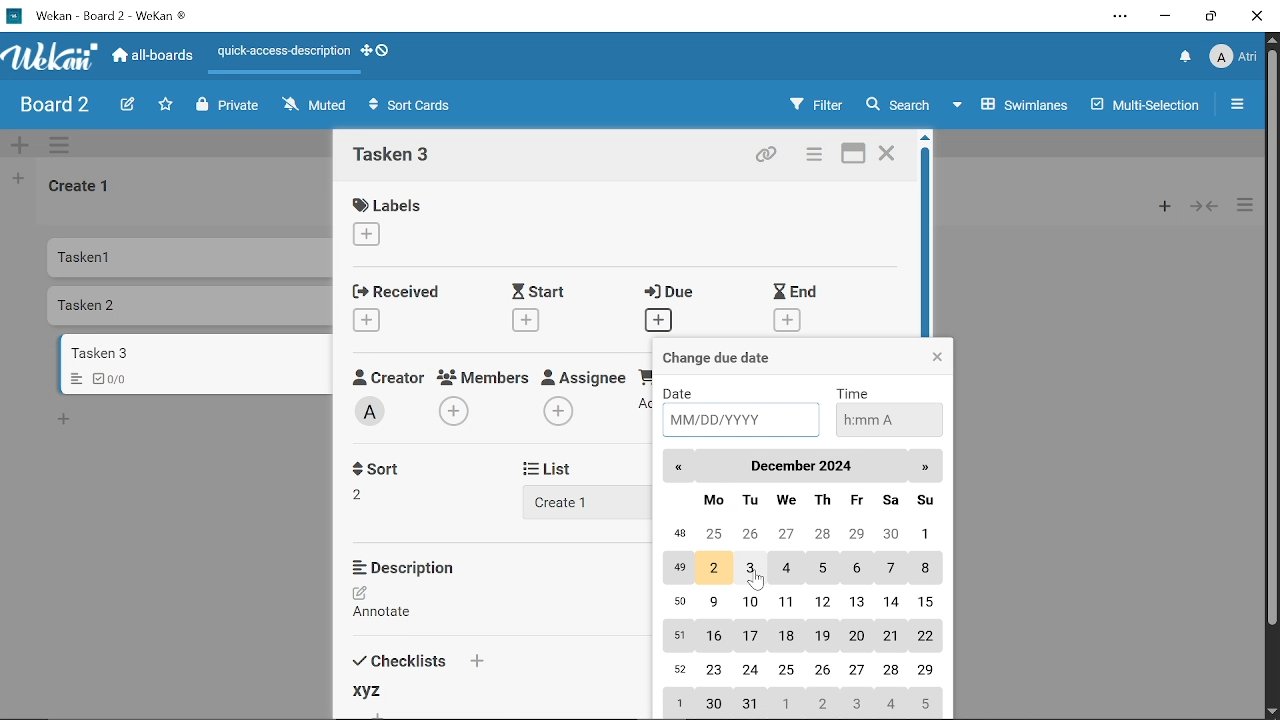  I want to click on Change due date, so click(735, 357).